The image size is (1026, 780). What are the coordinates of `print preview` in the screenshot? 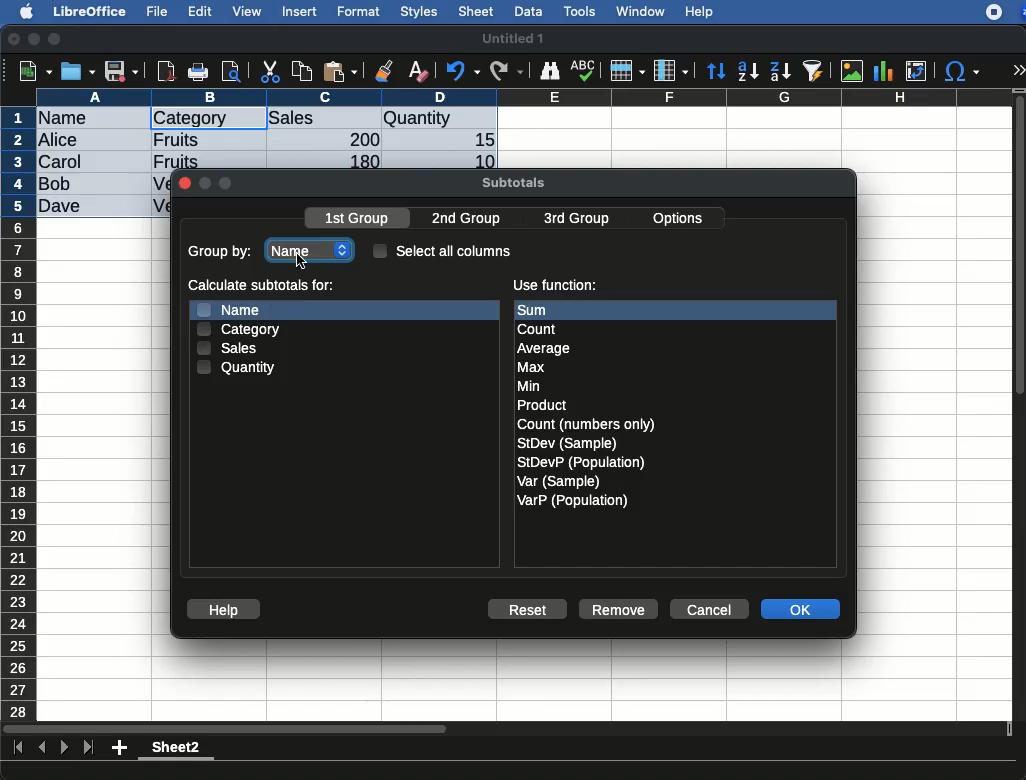 It's located at (231, 73).